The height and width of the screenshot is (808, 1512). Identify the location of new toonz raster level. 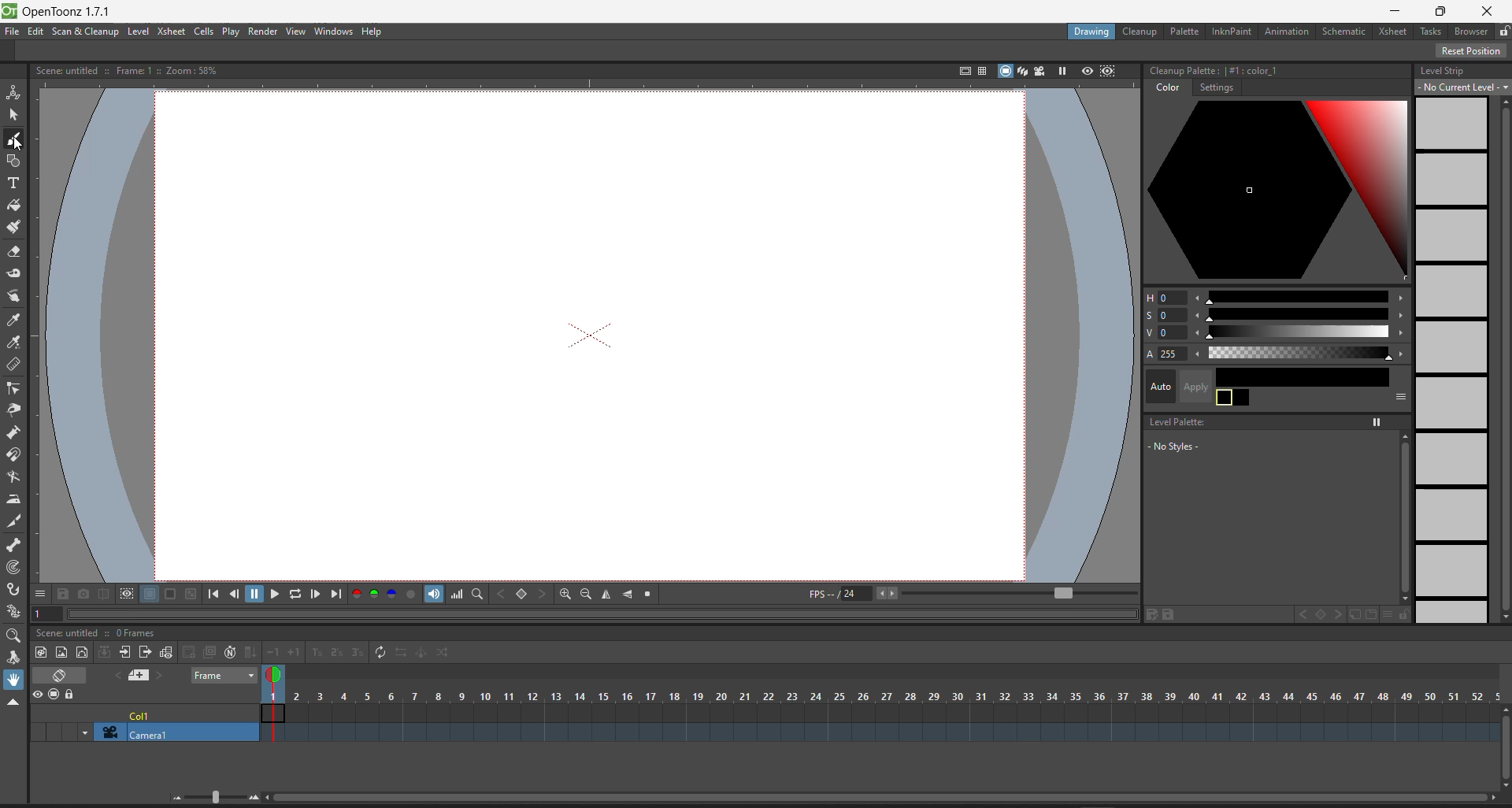
(40, 654).